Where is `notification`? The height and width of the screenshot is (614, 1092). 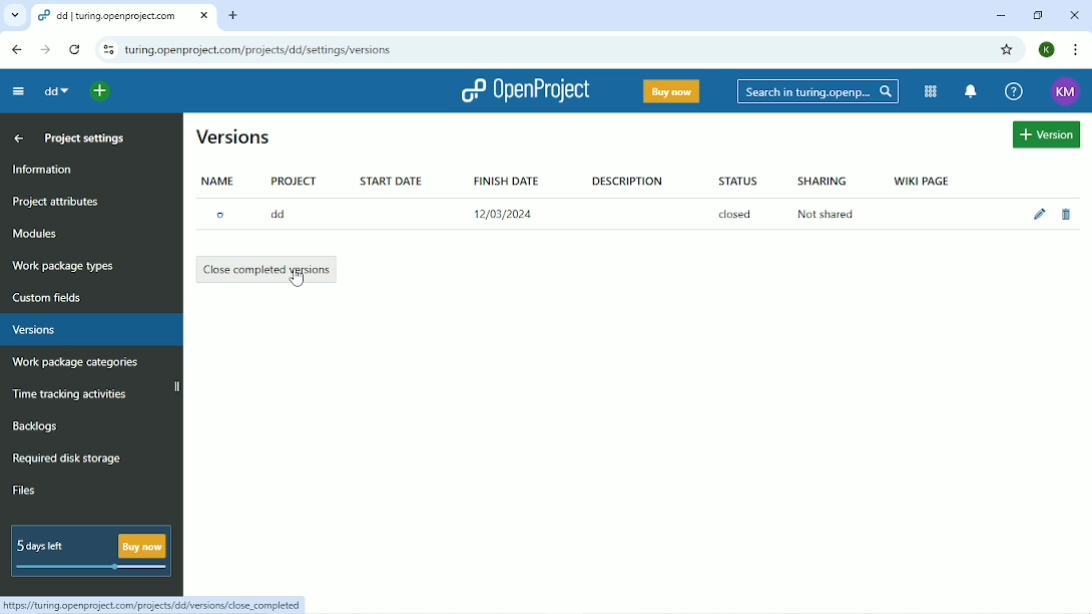 notification is located at coordinates (972, 92).